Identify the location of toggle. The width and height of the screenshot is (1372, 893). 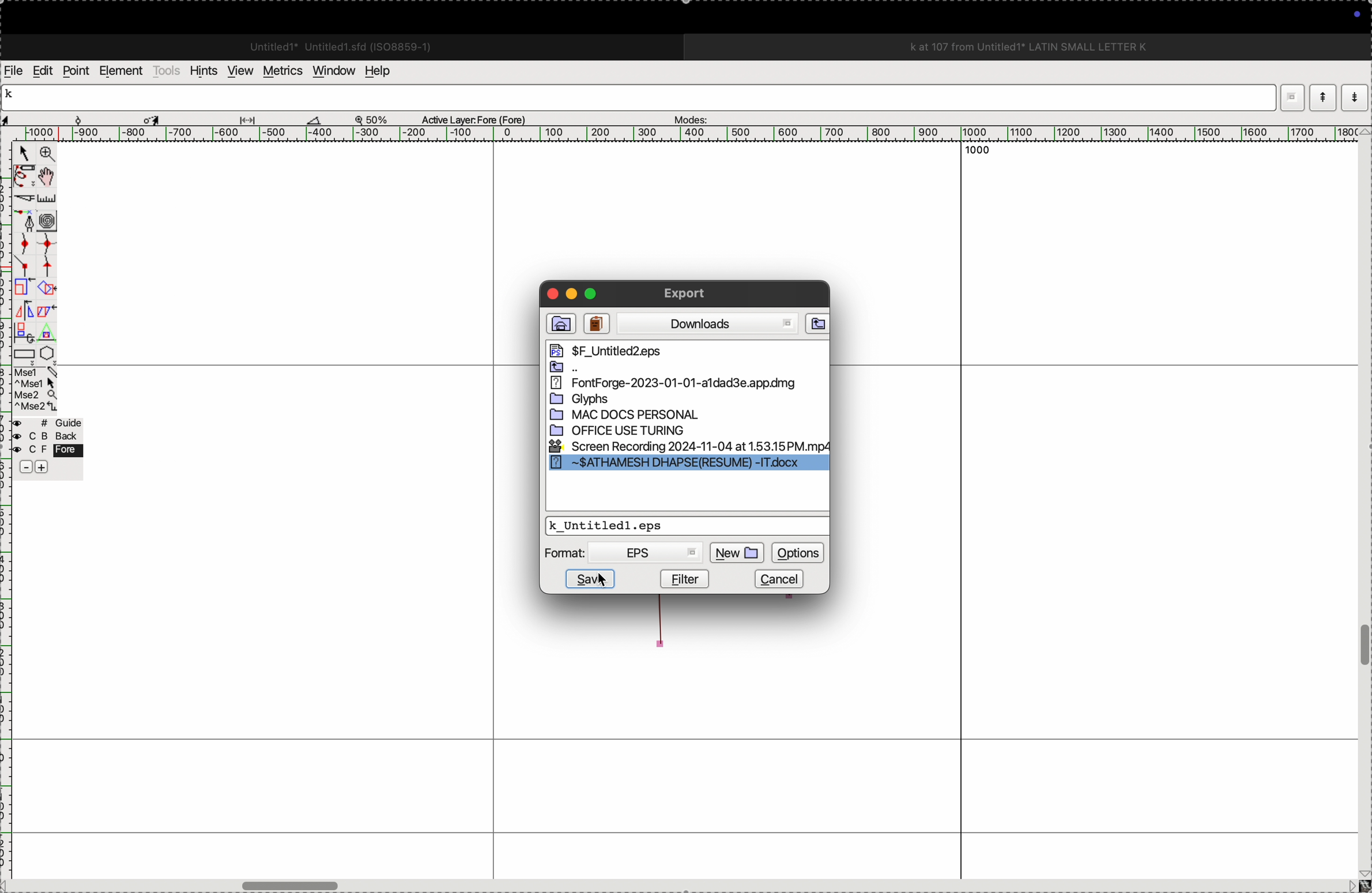
(50, 176).